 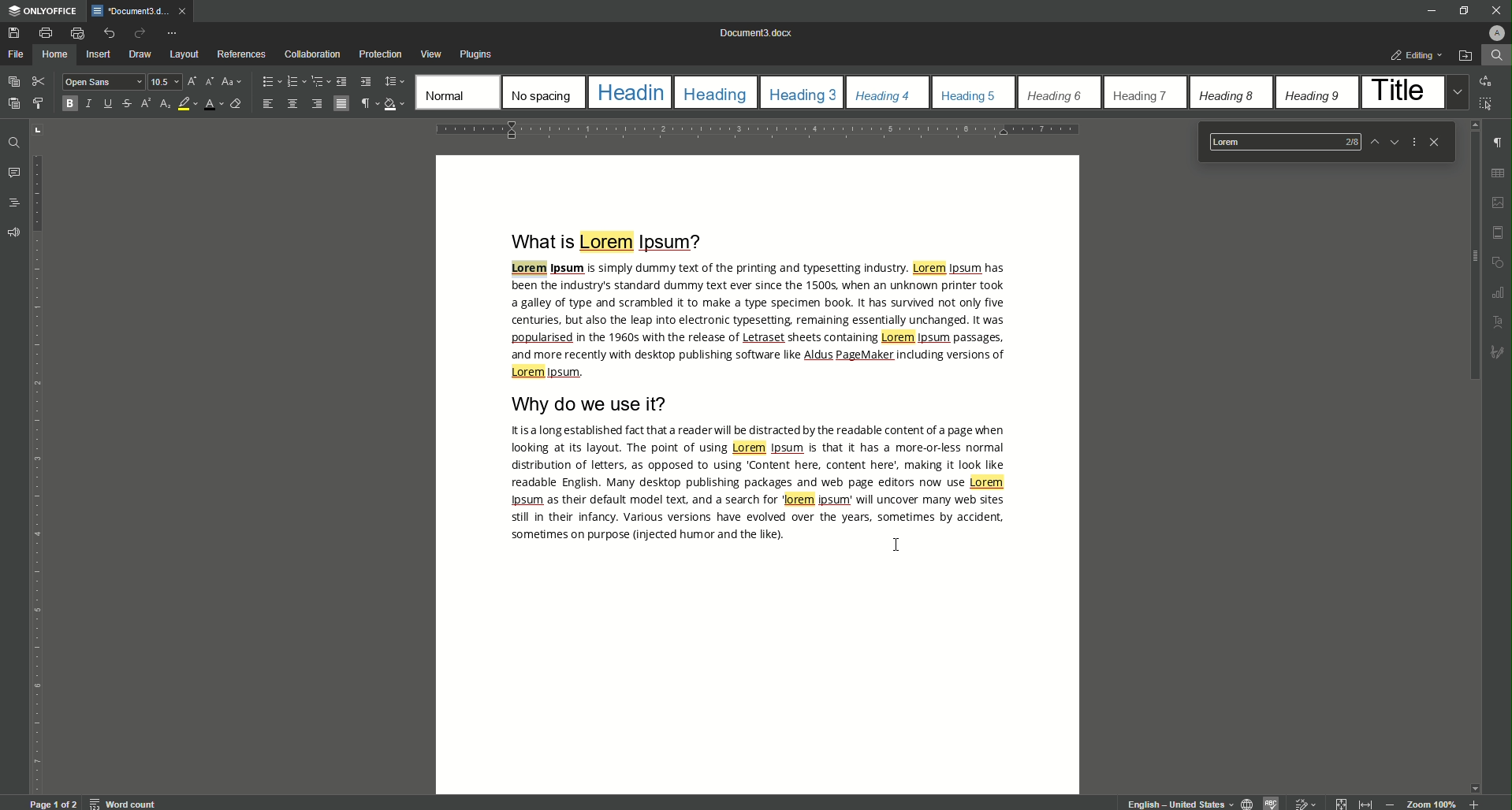 I want to click on Scroll, so click(x=1473, y=250).